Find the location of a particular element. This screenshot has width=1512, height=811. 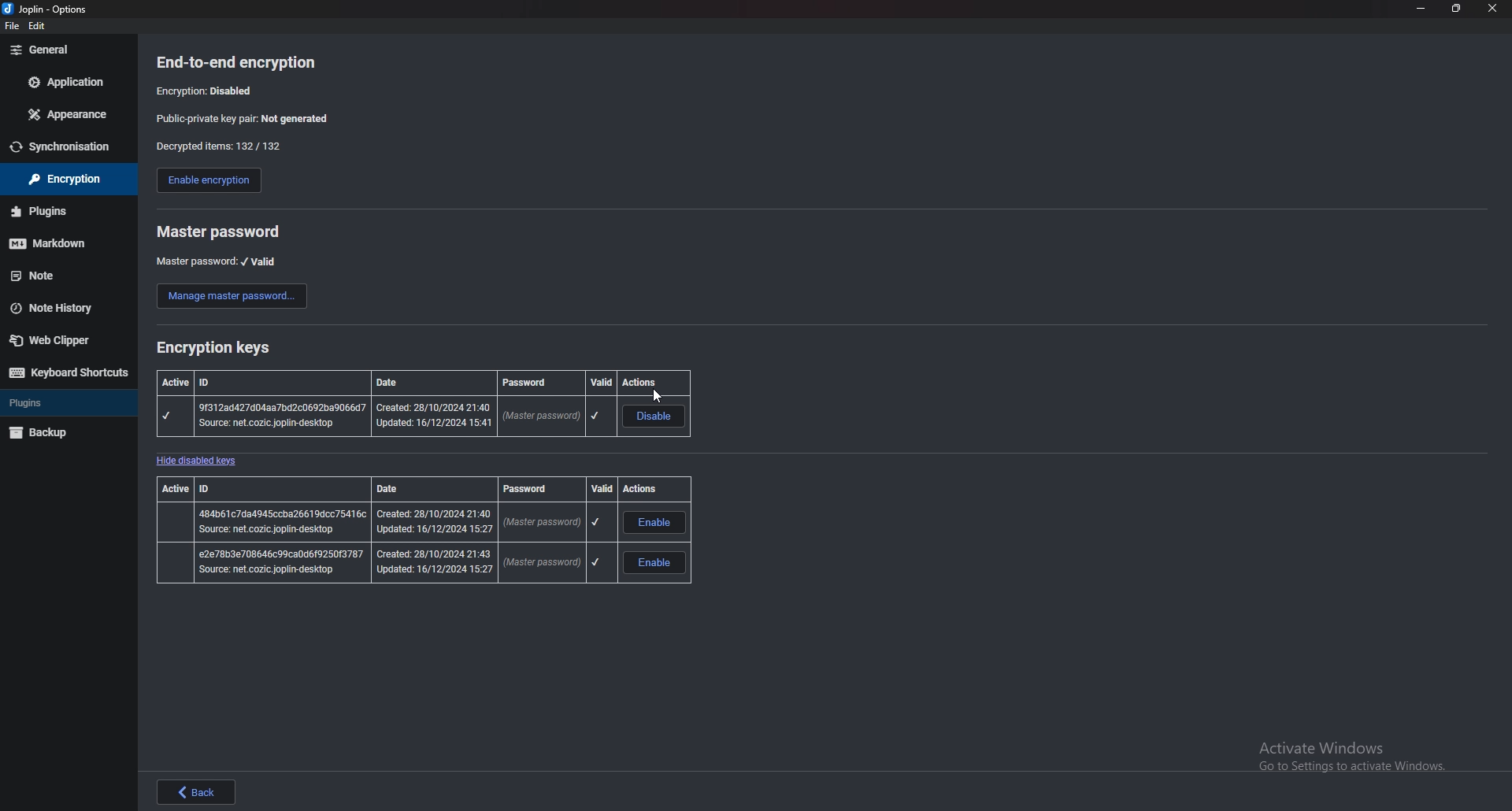

minimize is located at coordinates (1422, 9).